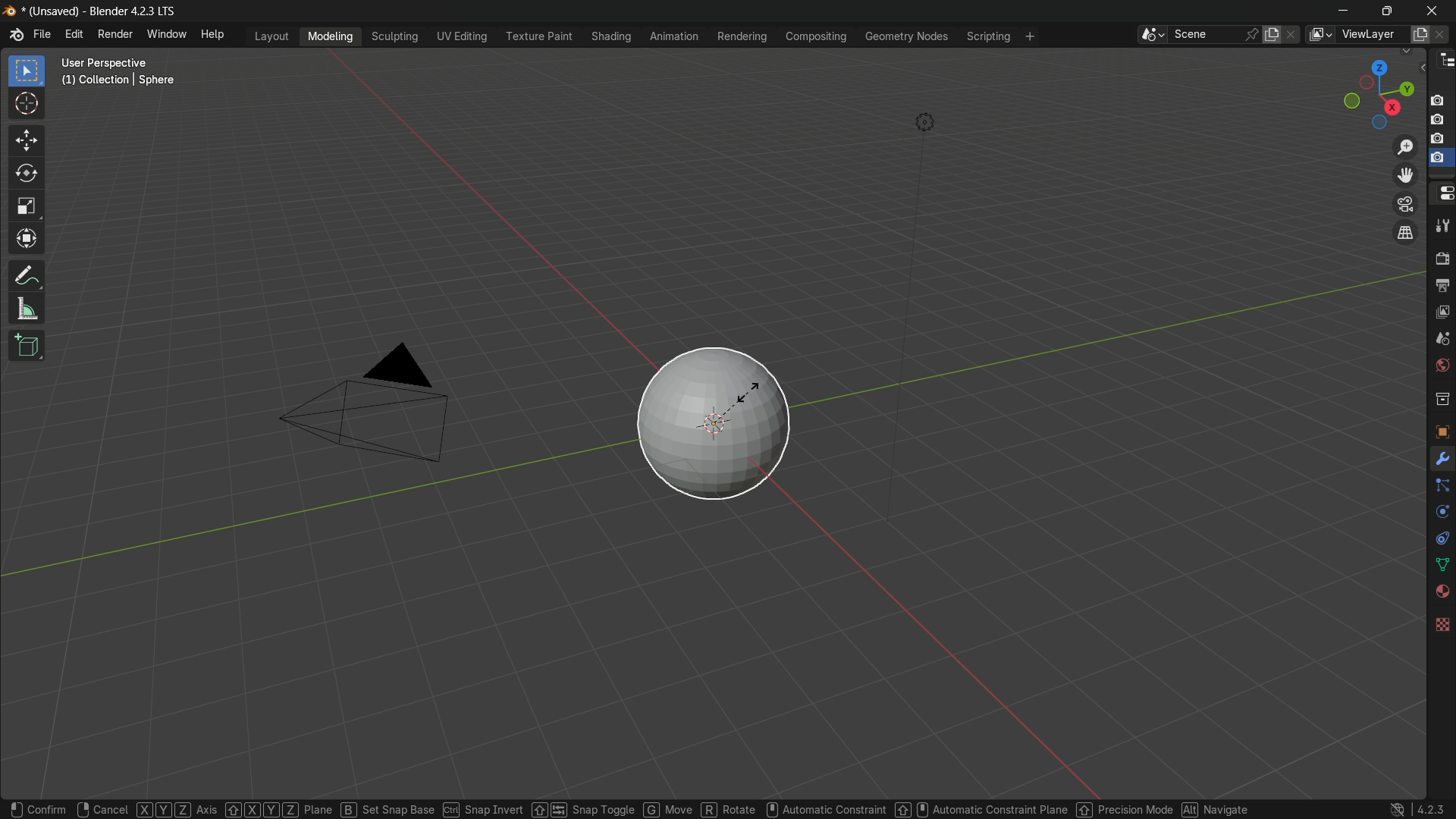 This screenshot has width=1456, height=819. I want to click on snap base ctrl, so click(413, 805).